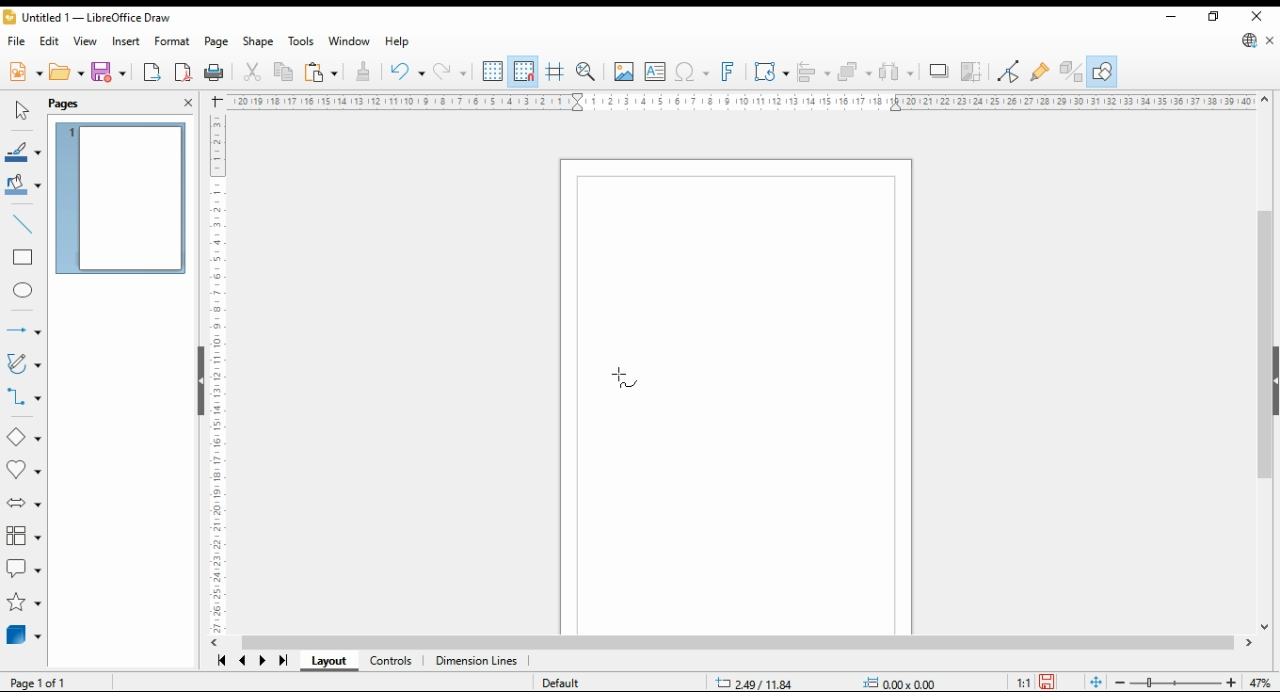  What do you see at coordinates (152, 72) in the screenshot?
I see `export` at bounding box center [152, 72].